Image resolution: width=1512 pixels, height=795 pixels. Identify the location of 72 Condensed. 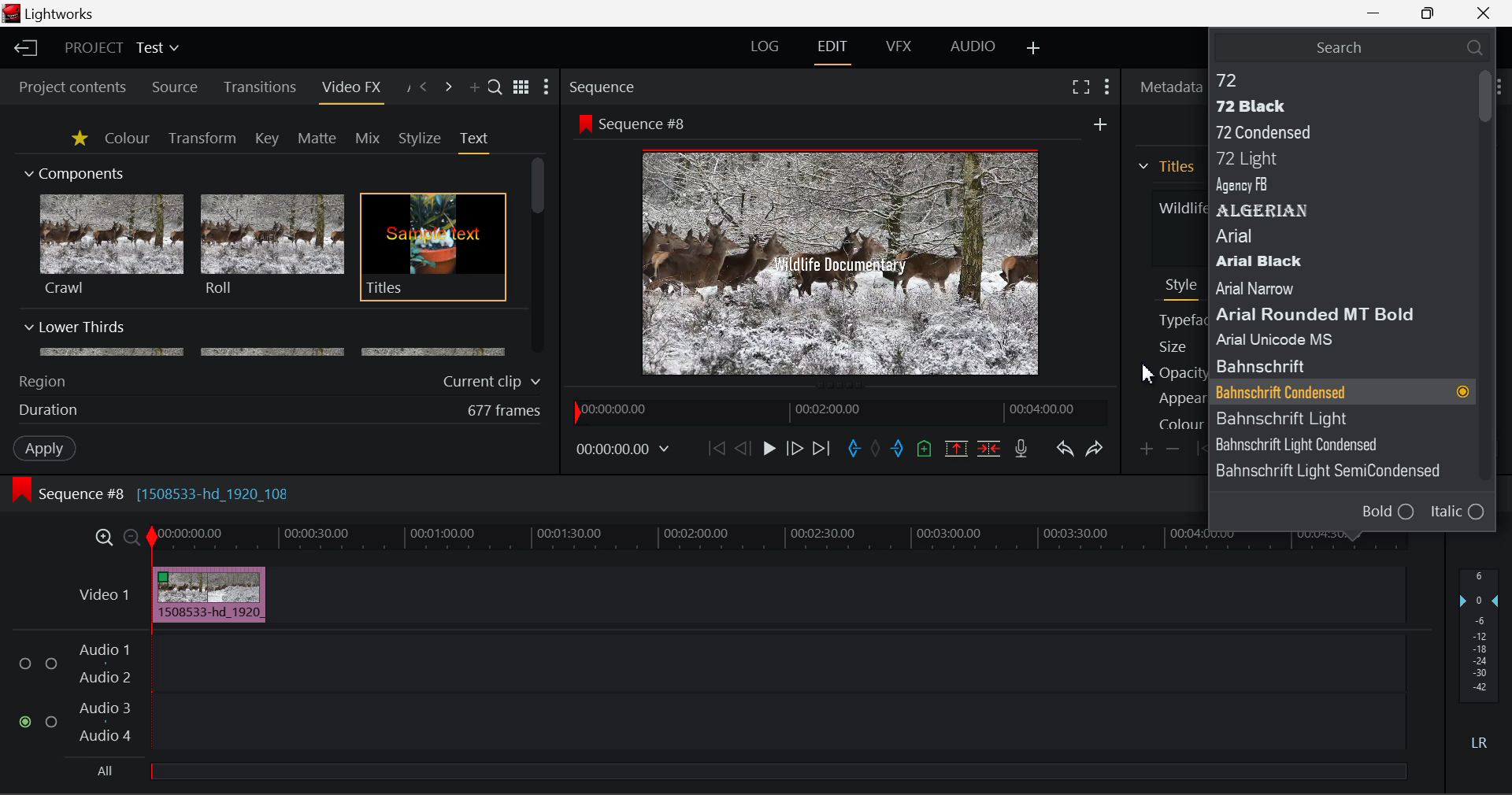
(1332, 130).